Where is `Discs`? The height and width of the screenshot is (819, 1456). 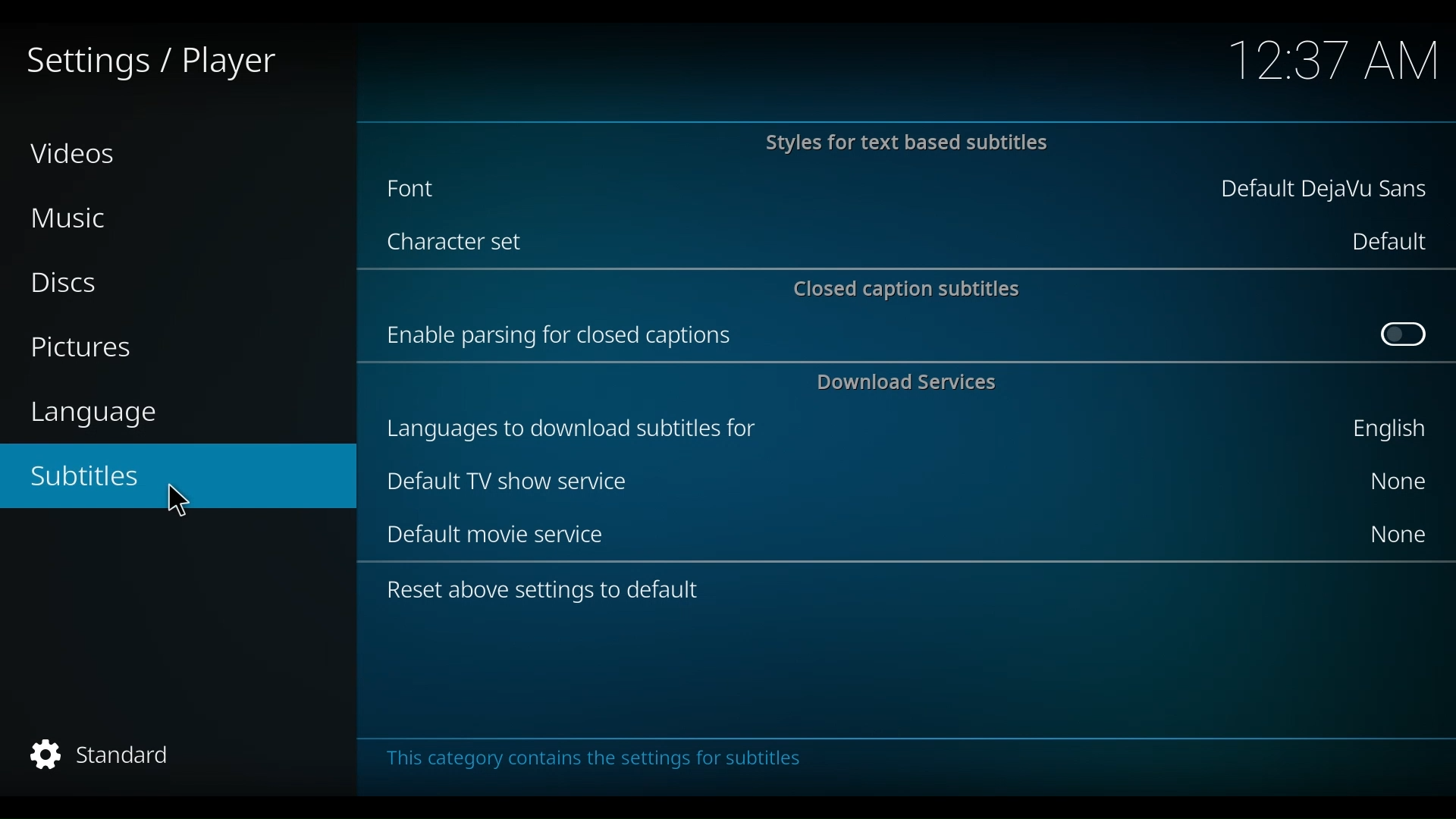
Discs is located at coordinates (71, 283).